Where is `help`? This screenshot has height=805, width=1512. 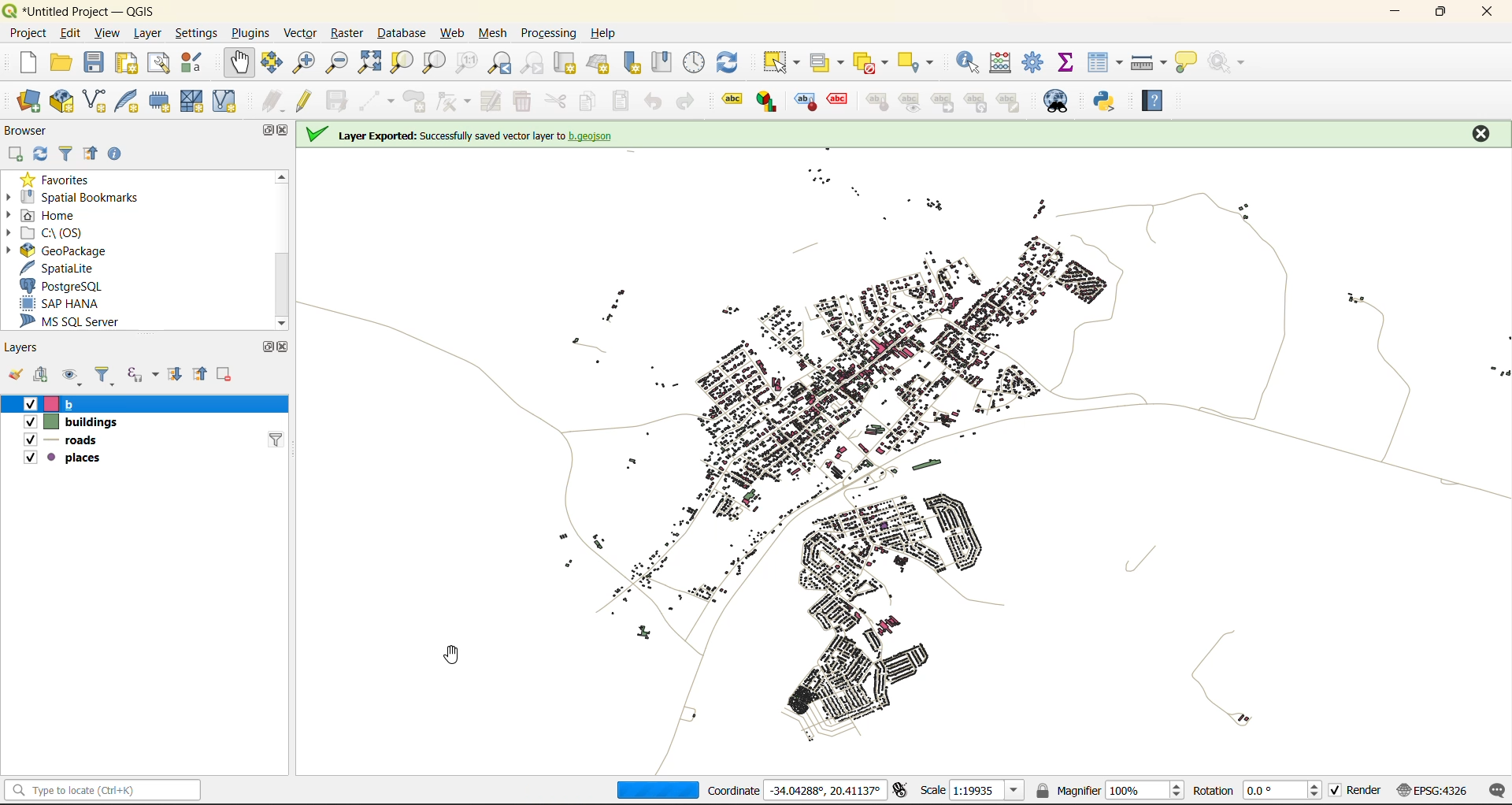
help is located at coordinates (1154, 101).